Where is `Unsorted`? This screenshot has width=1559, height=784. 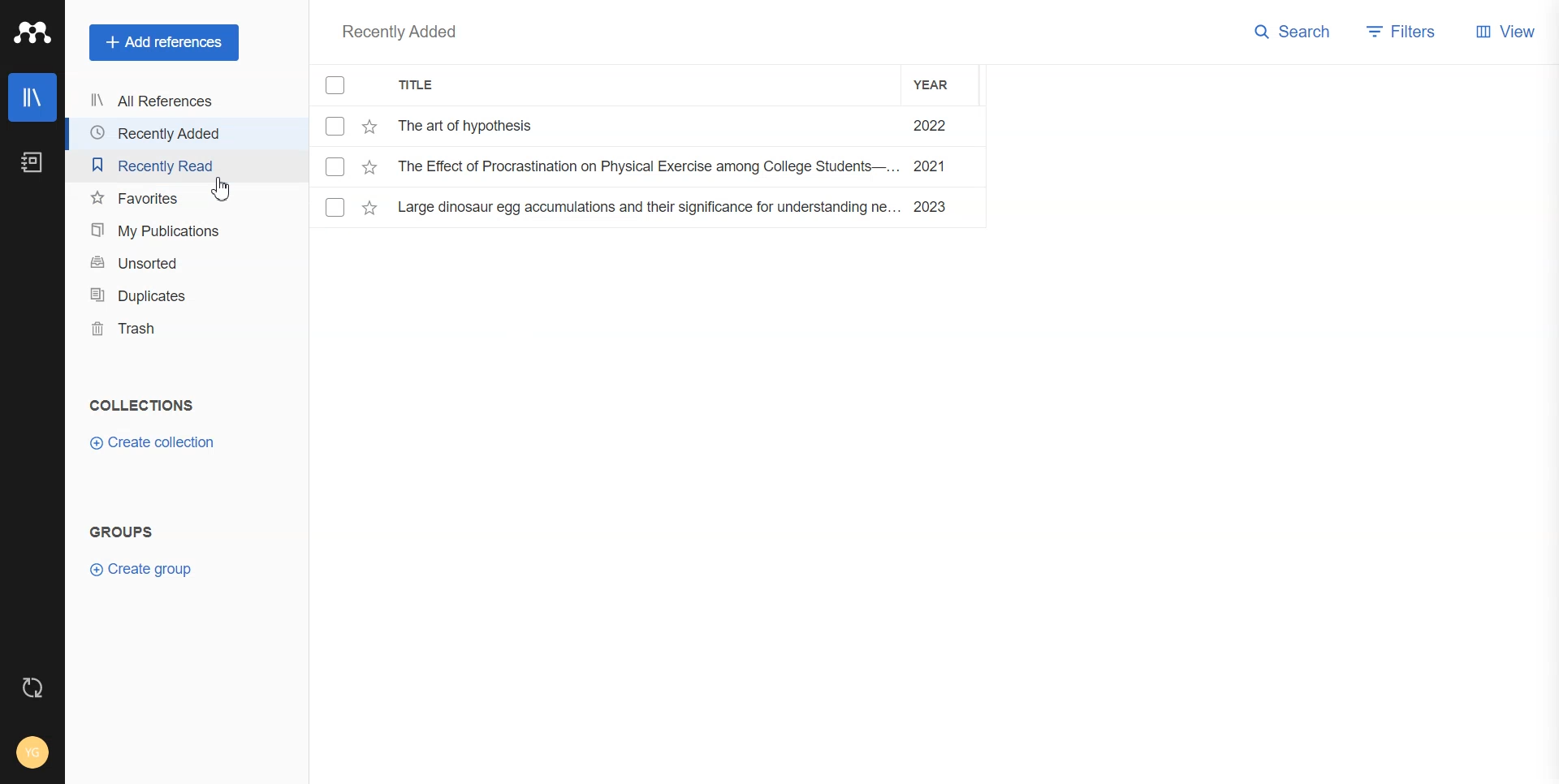
Unsorted is located at coordinates (168, 264).